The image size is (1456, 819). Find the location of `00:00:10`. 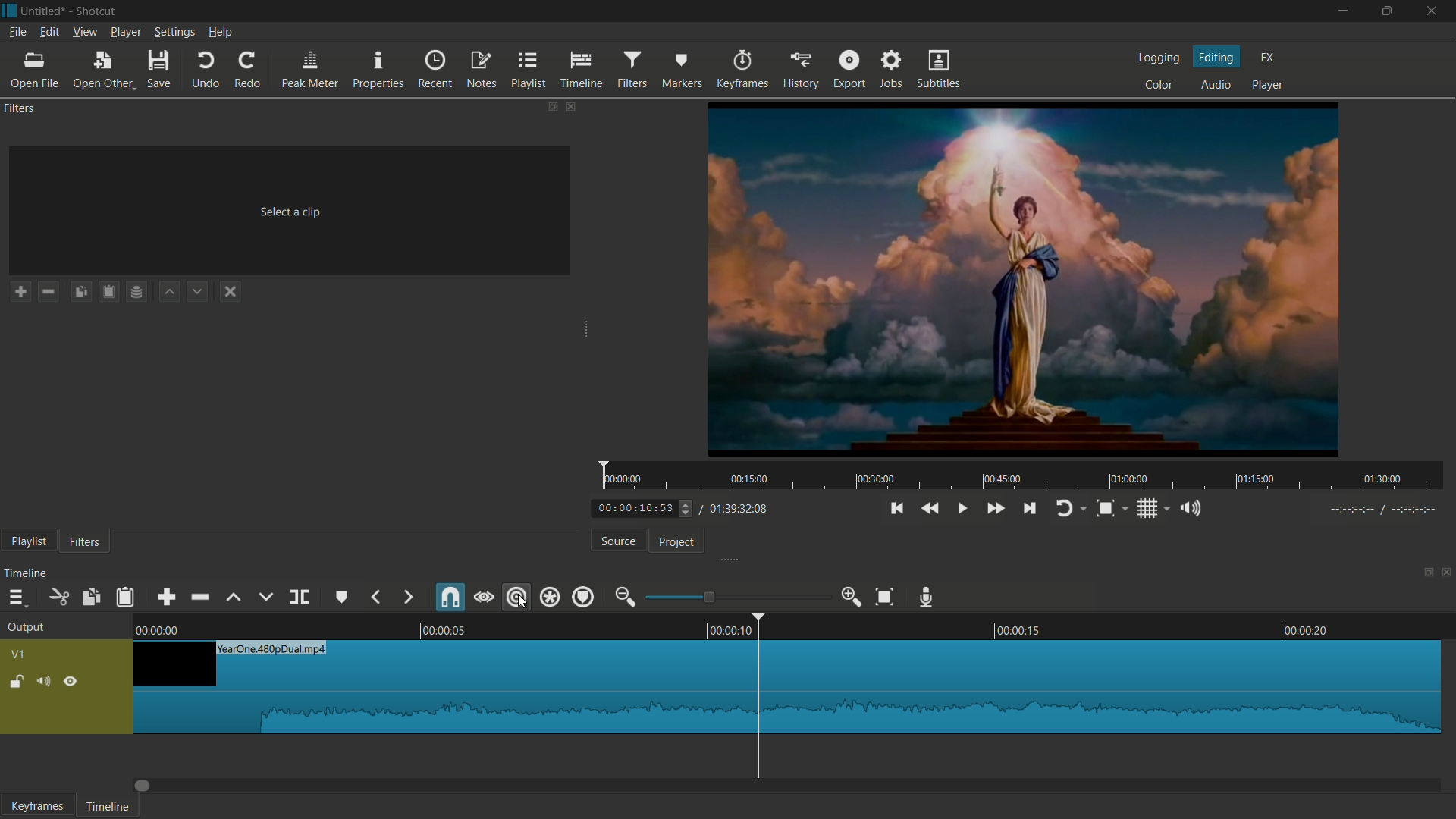

00:00:10 is located at coordinates (727, 631).